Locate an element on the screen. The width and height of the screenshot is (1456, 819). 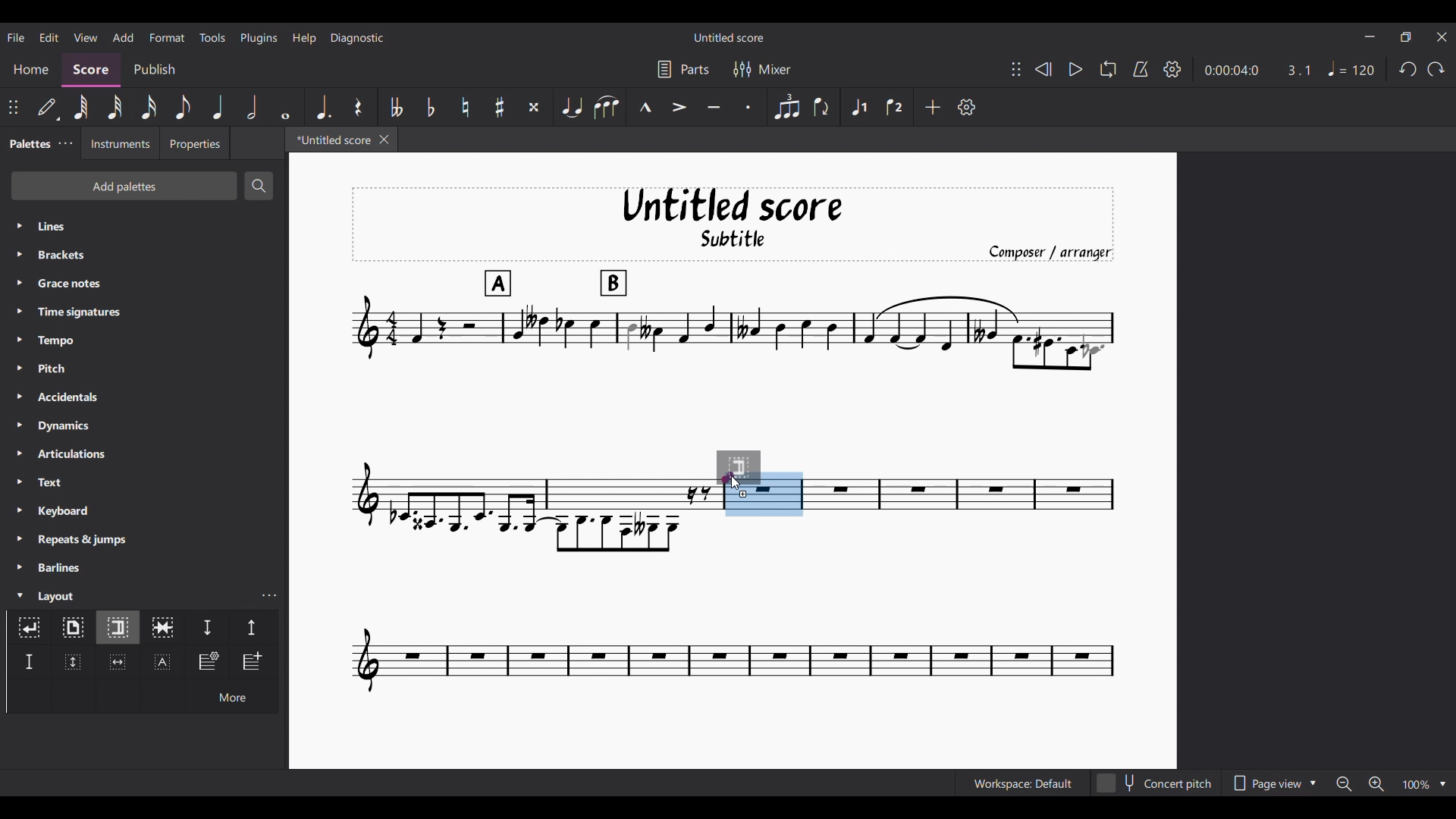
Augmentation dot is located at coordinates (322, 107).